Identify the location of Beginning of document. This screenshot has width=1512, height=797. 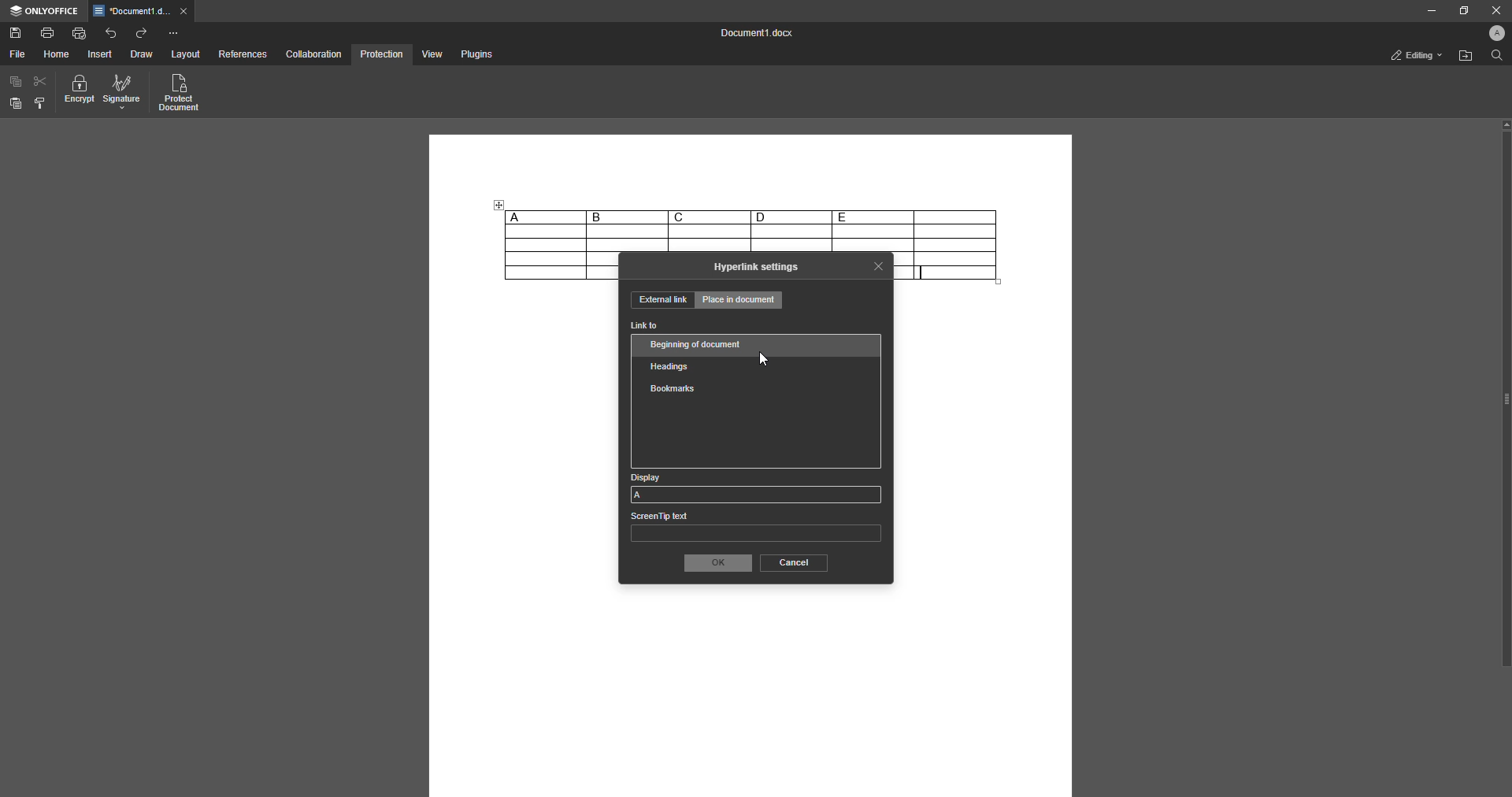
(699, 344).